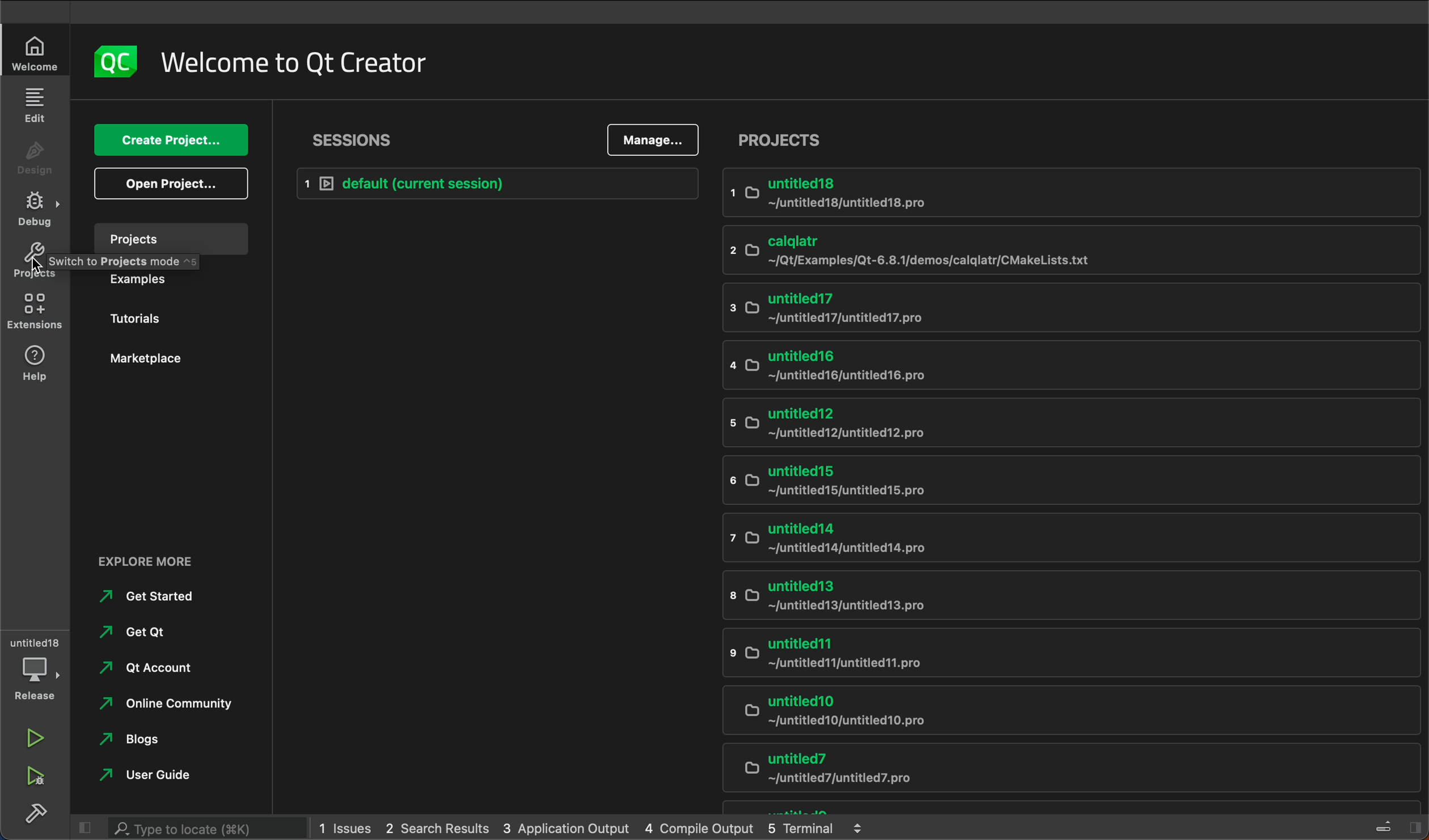 This screenshot has height=840, width=1429. Describe the element at coordinates (653, 141) in the screenshot. I see `manage` at that location.